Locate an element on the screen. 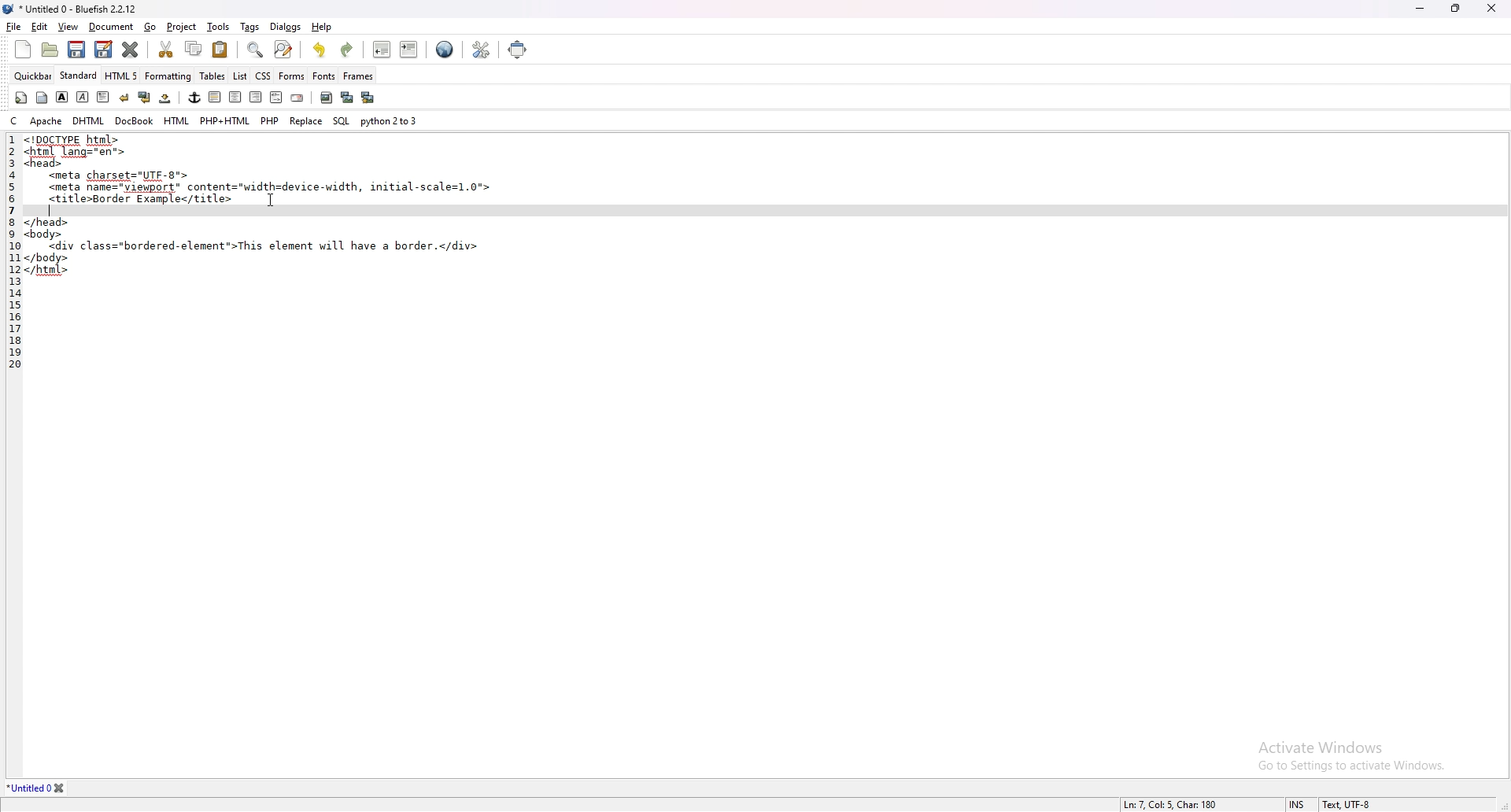 The image size is (1511, 812). forms is located at coordinates (292, 76).